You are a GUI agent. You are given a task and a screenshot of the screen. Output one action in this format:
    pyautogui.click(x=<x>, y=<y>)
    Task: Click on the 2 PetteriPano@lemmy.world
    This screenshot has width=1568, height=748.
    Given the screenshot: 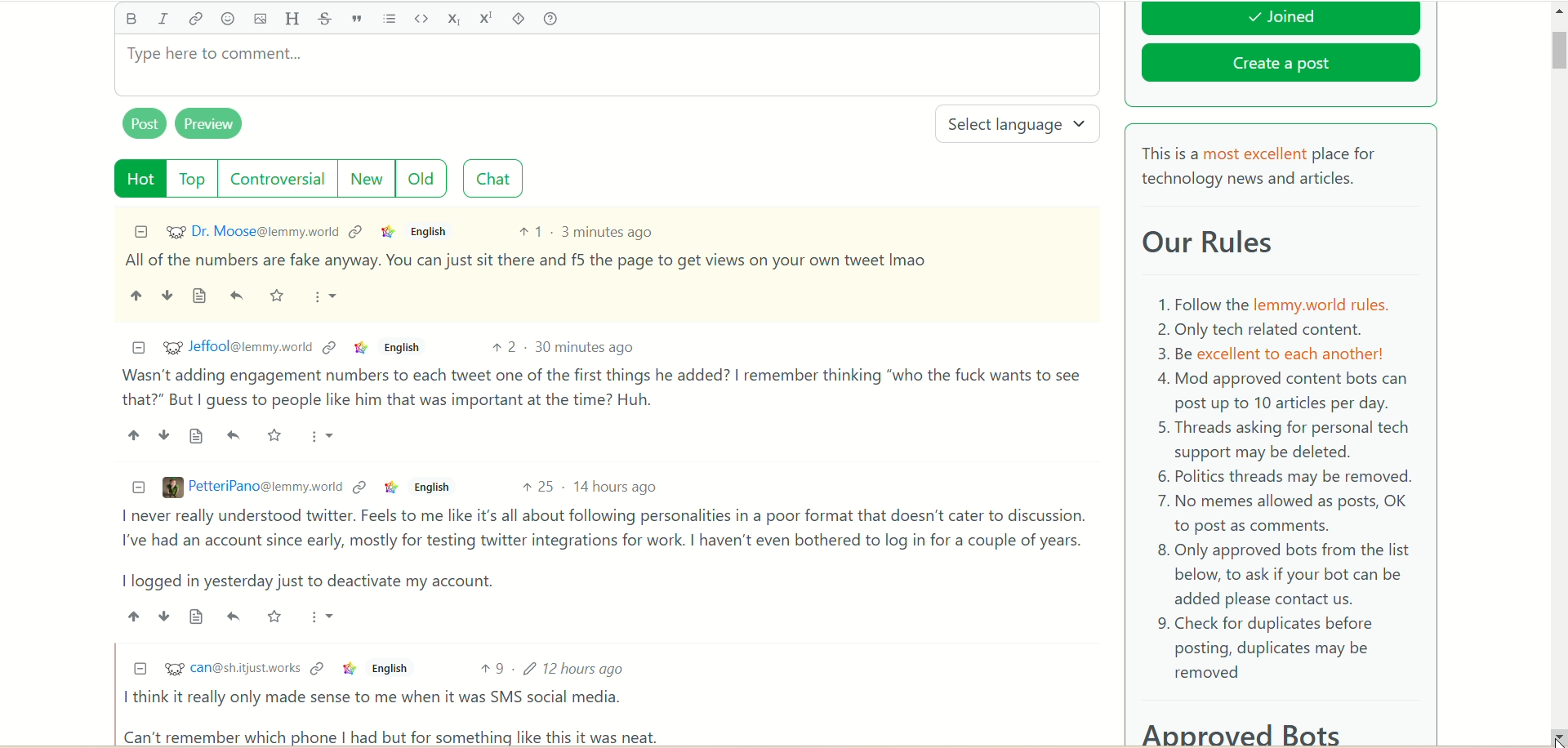 What is the action you would take?
    pyautogui.click(x=252, y=487)
    